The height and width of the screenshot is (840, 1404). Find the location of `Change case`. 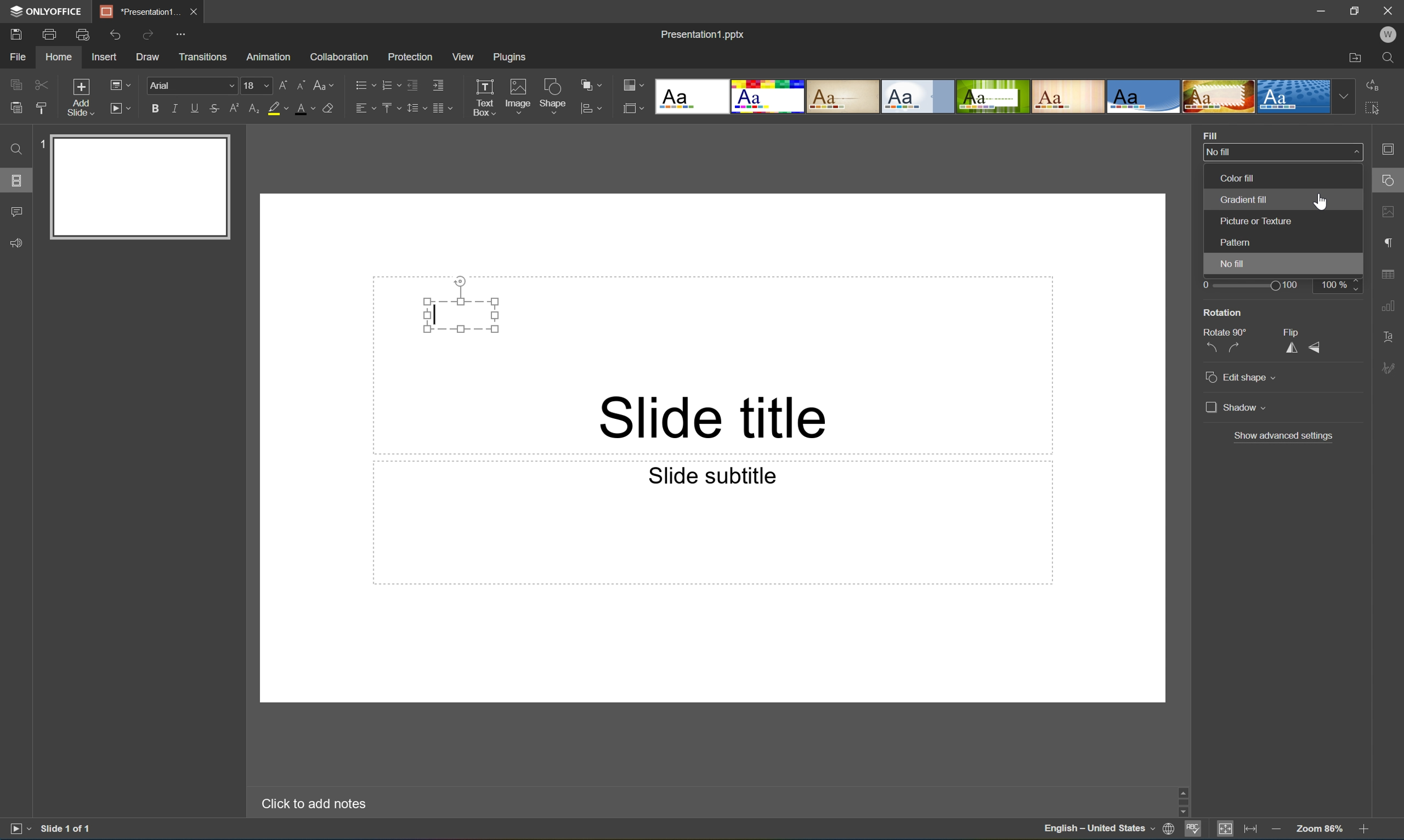

Change case is located at coordinates (324, 82).